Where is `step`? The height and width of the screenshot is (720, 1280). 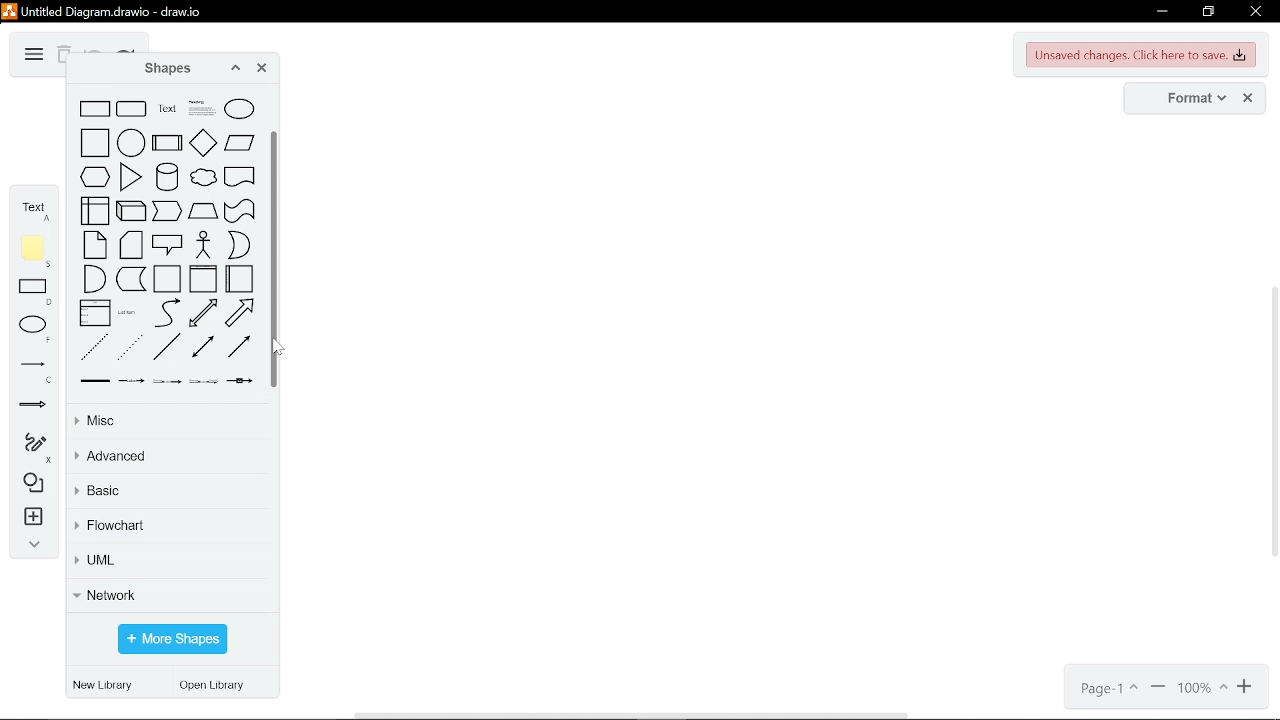
step is located at coordinates (168, 211).